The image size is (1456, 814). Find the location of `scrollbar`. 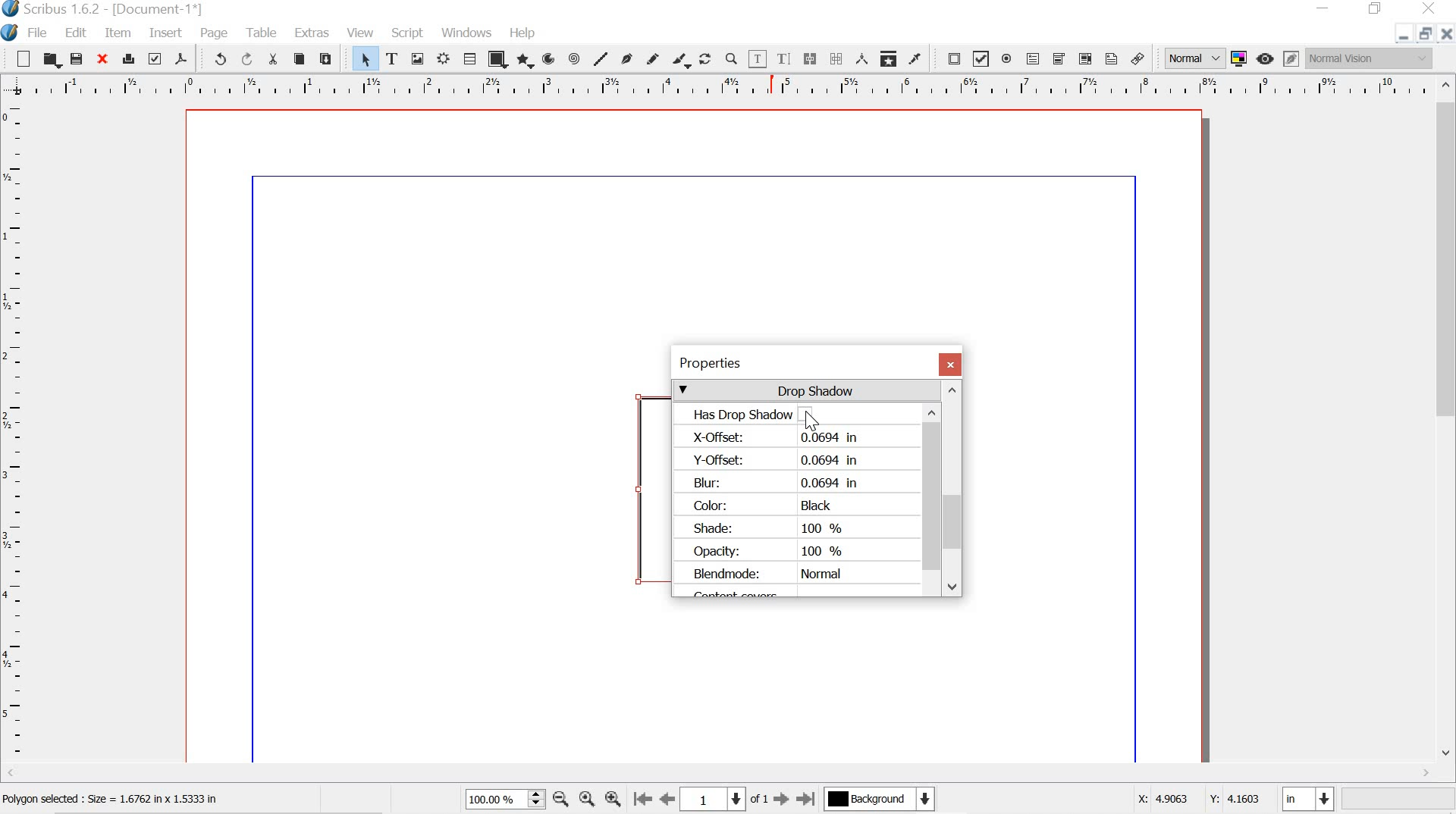

scrollbar is located at coordinates (1447, 418).